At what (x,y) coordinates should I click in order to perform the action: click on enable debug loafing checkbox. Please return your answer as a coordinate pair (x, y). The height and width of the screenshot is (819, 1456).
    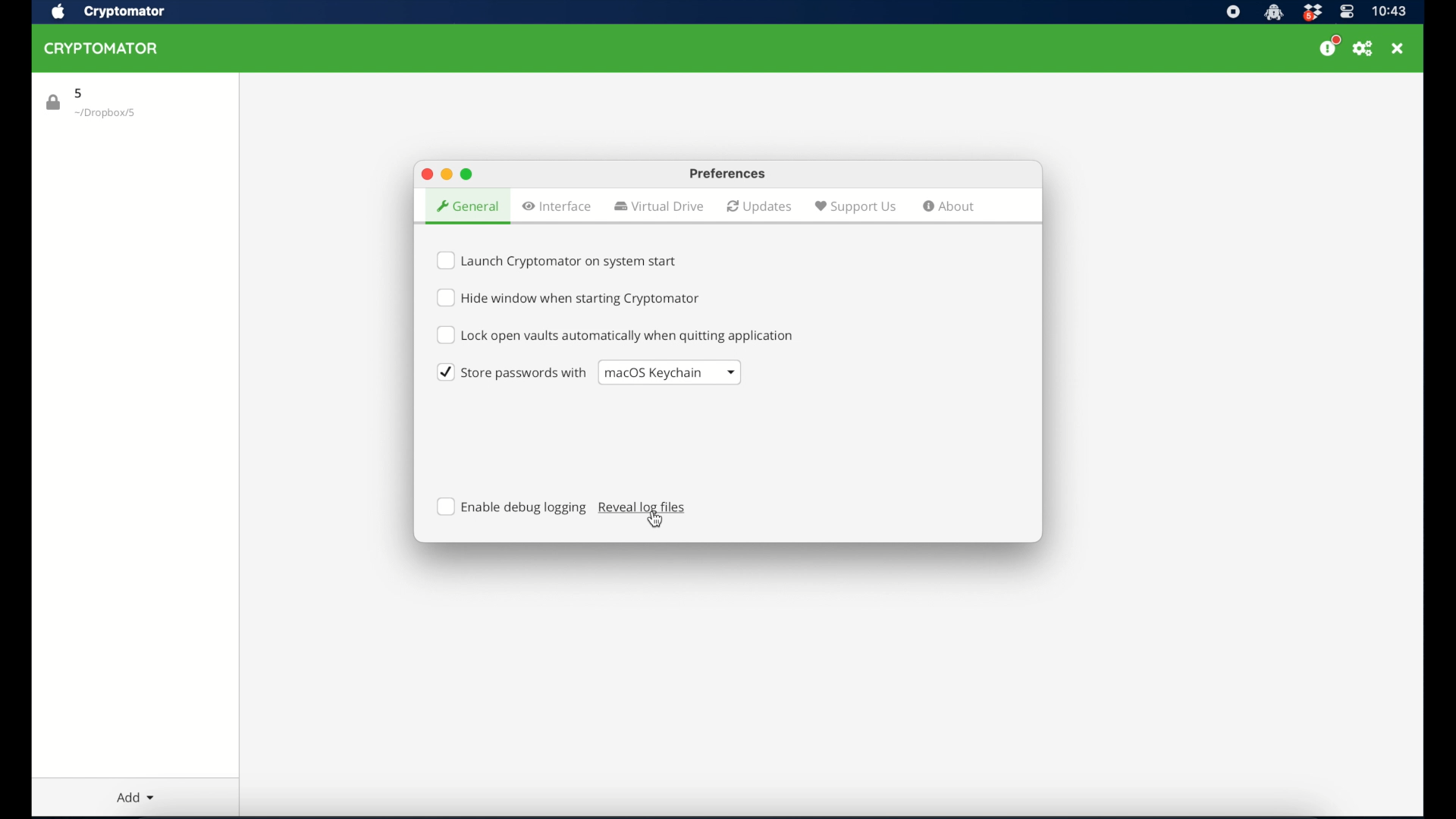
    Looking at the image, I should click on (512, 507).